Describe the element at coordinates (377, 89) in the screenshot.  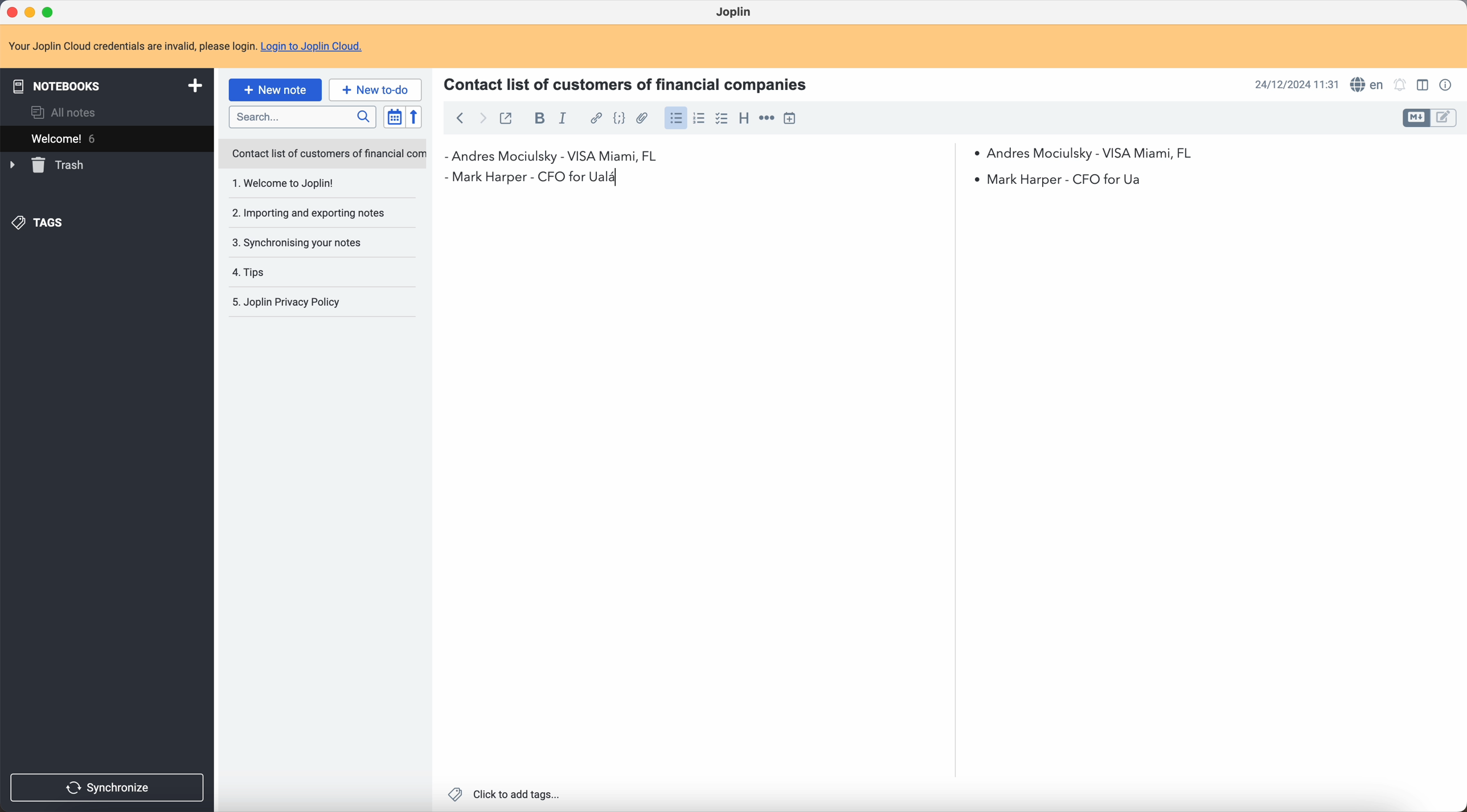
I see `new to-do` at that location.